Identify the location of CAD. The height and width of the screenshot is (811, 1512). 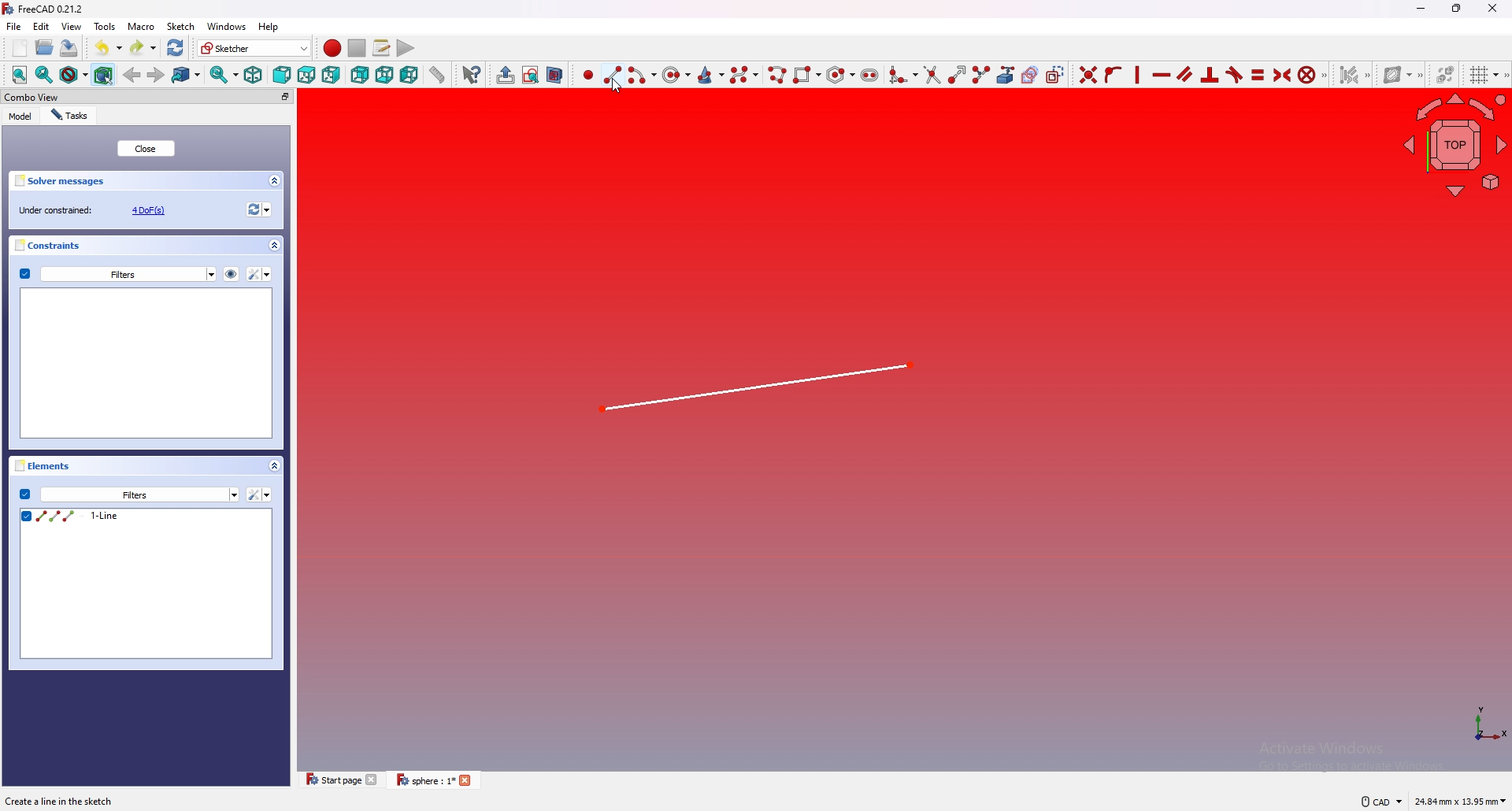
(1378, 802).